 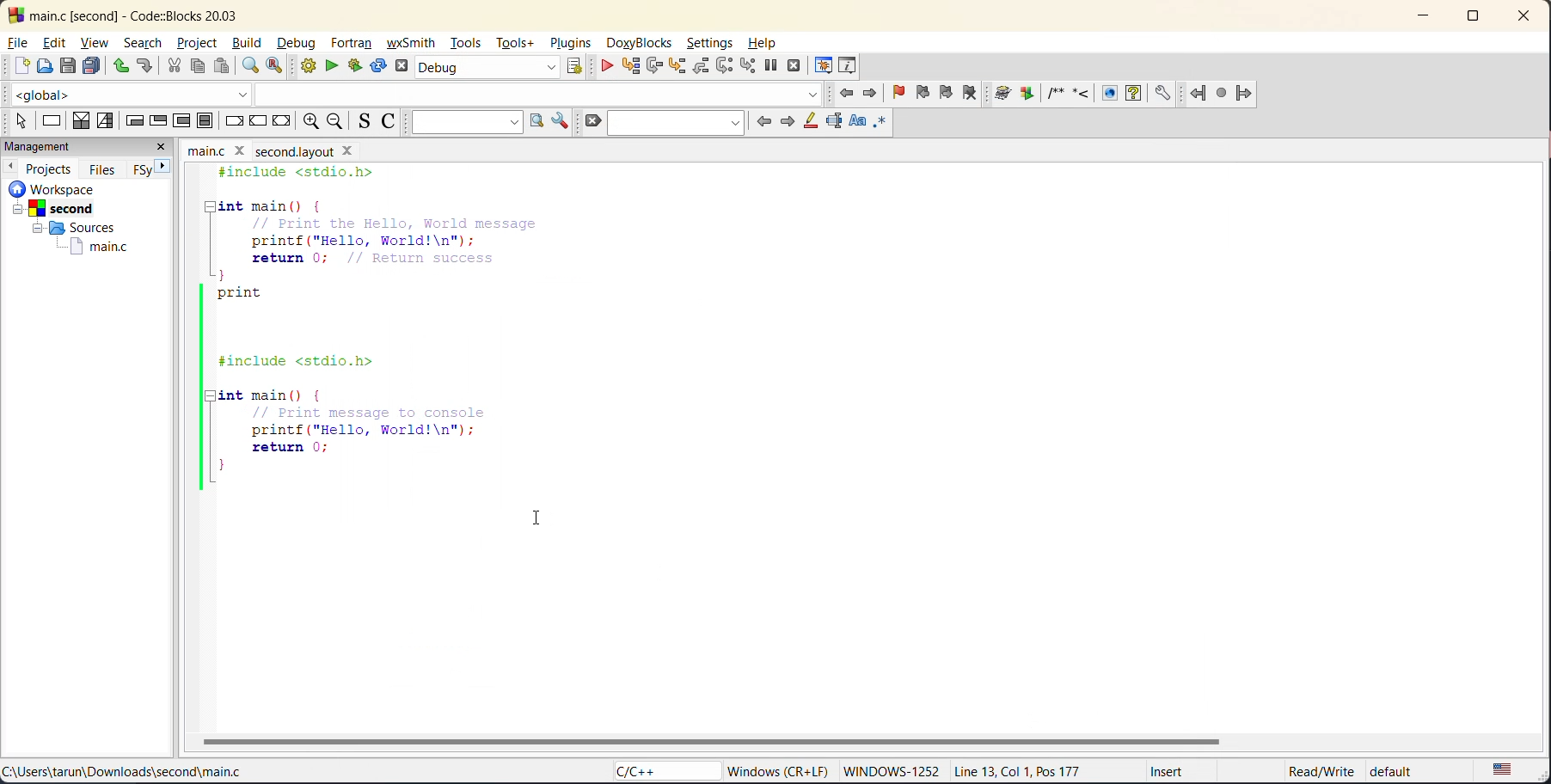 What do you see at coordinates (70, 147) in the screenshot?
I see `management` at bounding box center [70, 147].